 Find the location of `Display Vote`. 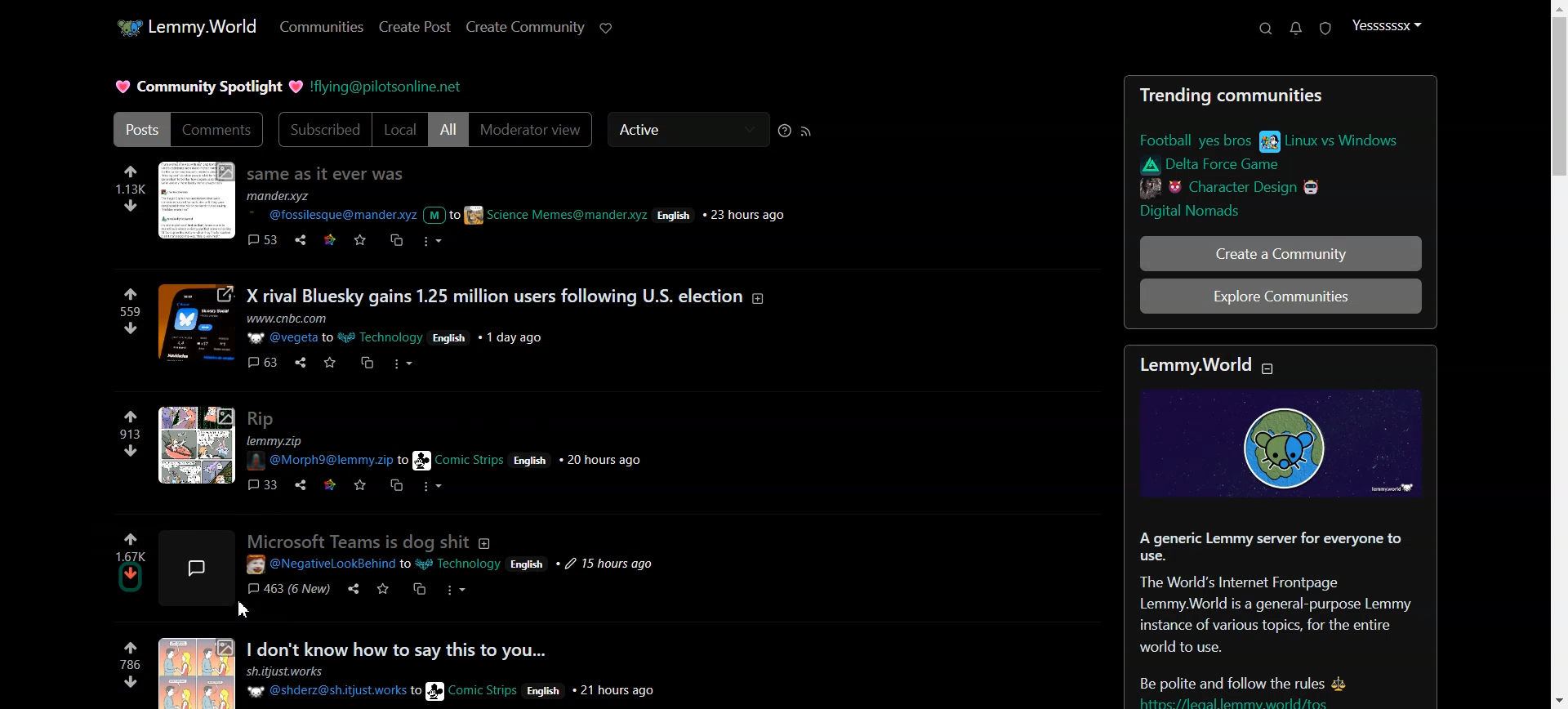

Display Vote is located at coordinates (131, 555).